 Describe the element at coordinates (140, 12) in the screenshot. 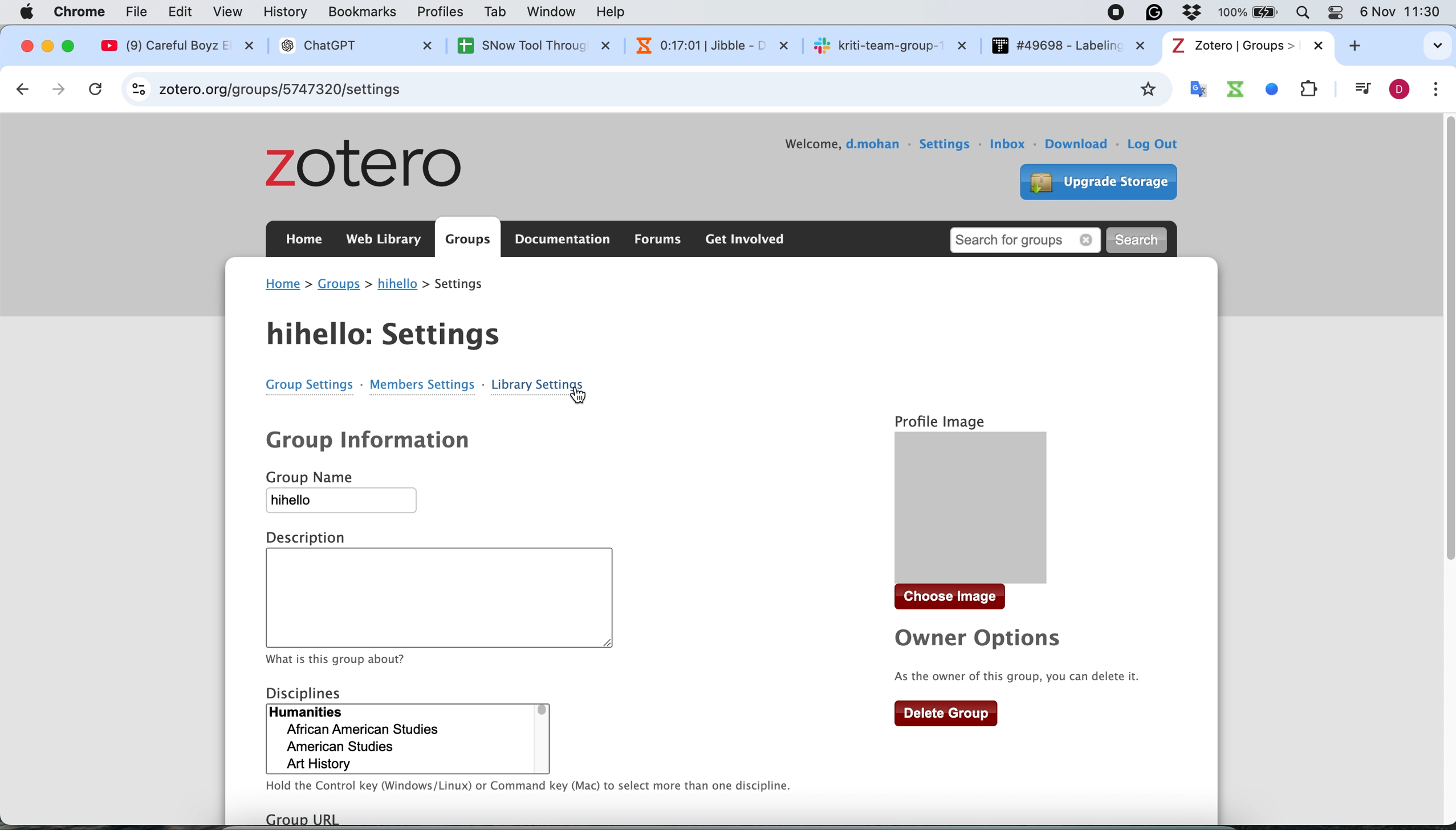

I see `file` at that location.